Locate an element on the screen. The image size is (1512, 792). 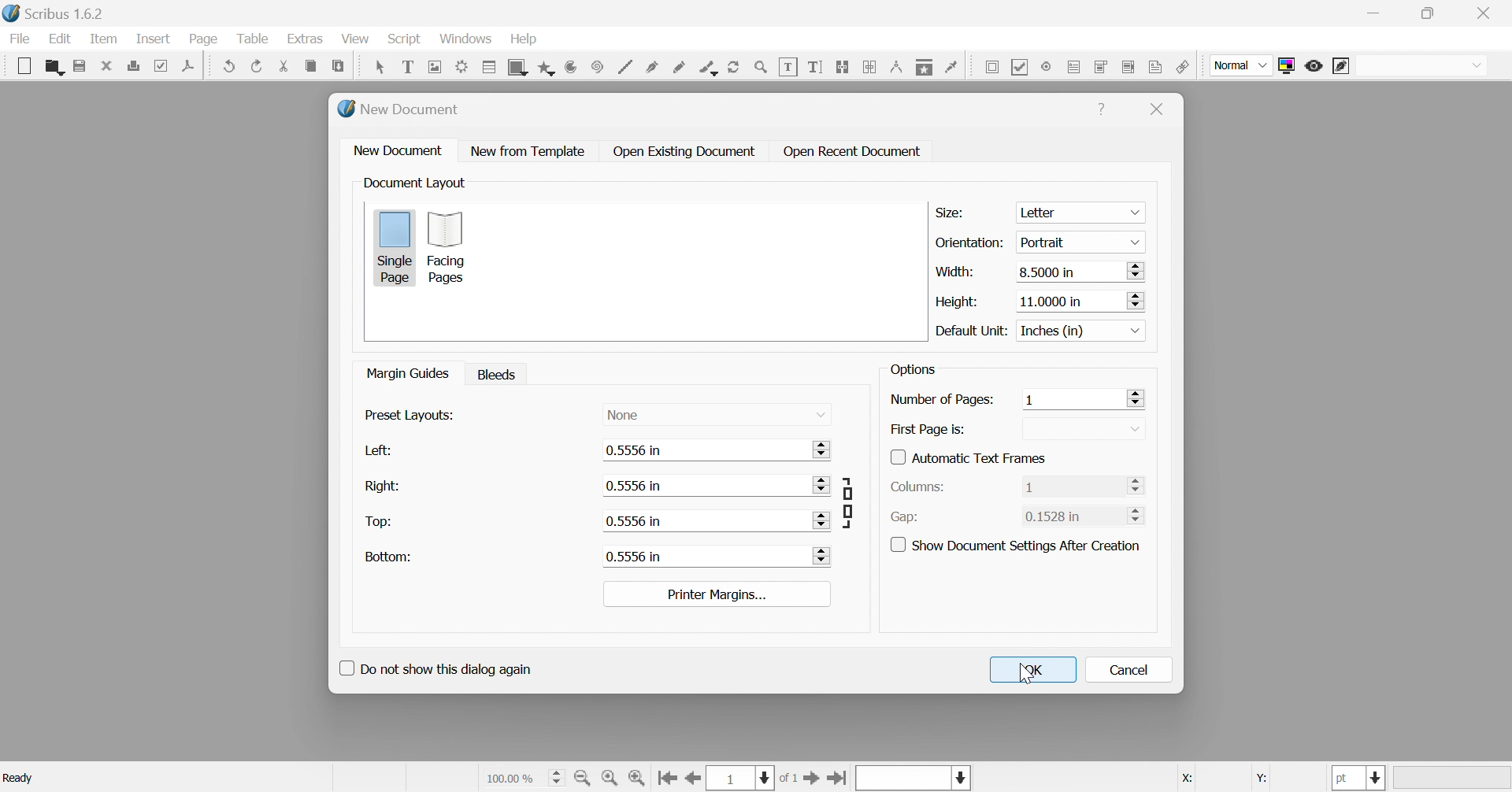
polygon is located at coordinates (548, 65).